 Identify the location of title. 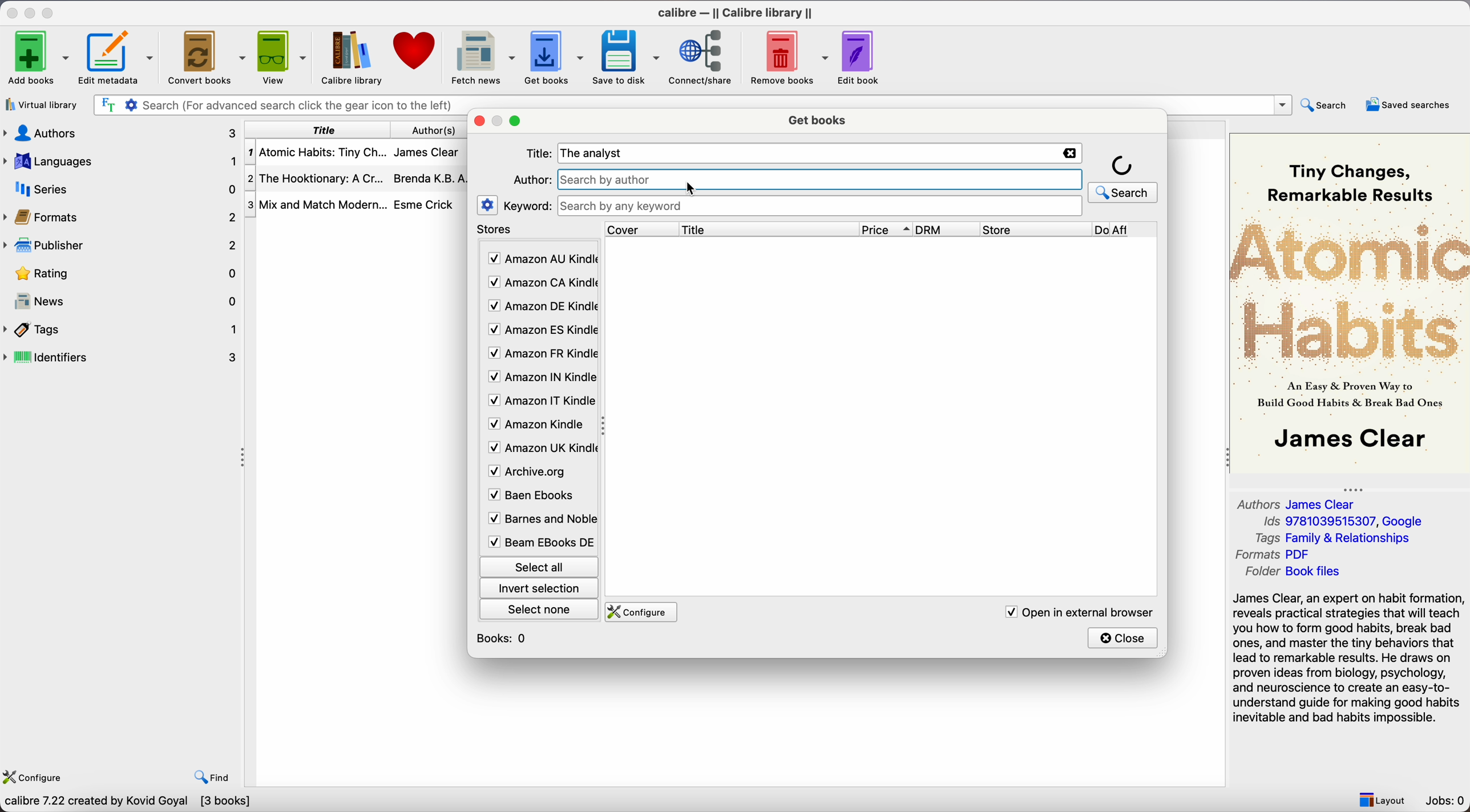
(324, 130).